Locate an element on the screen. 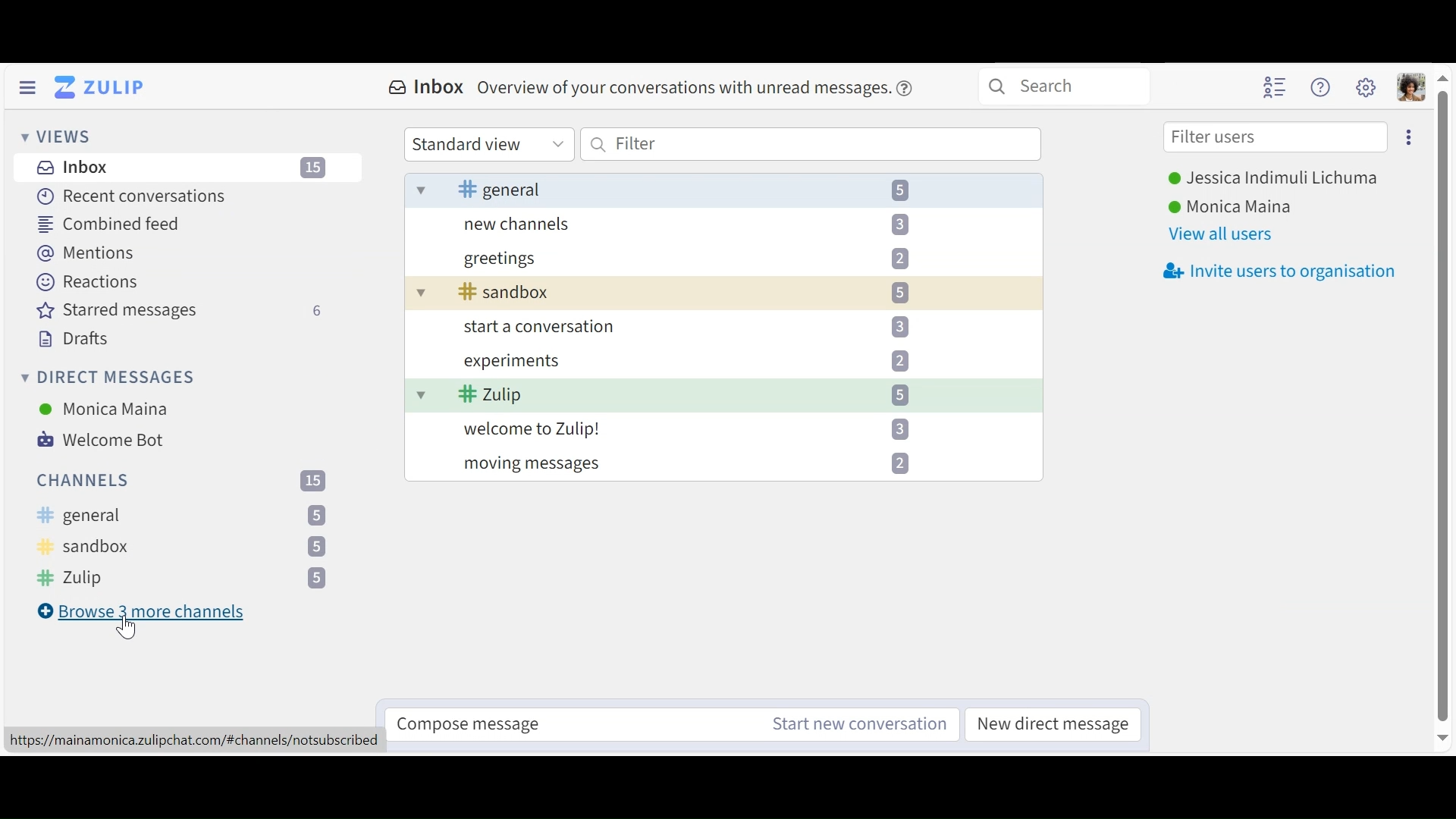 The width and height of the screenshot is (1456, 819). url is located at coordinates (193, 739).